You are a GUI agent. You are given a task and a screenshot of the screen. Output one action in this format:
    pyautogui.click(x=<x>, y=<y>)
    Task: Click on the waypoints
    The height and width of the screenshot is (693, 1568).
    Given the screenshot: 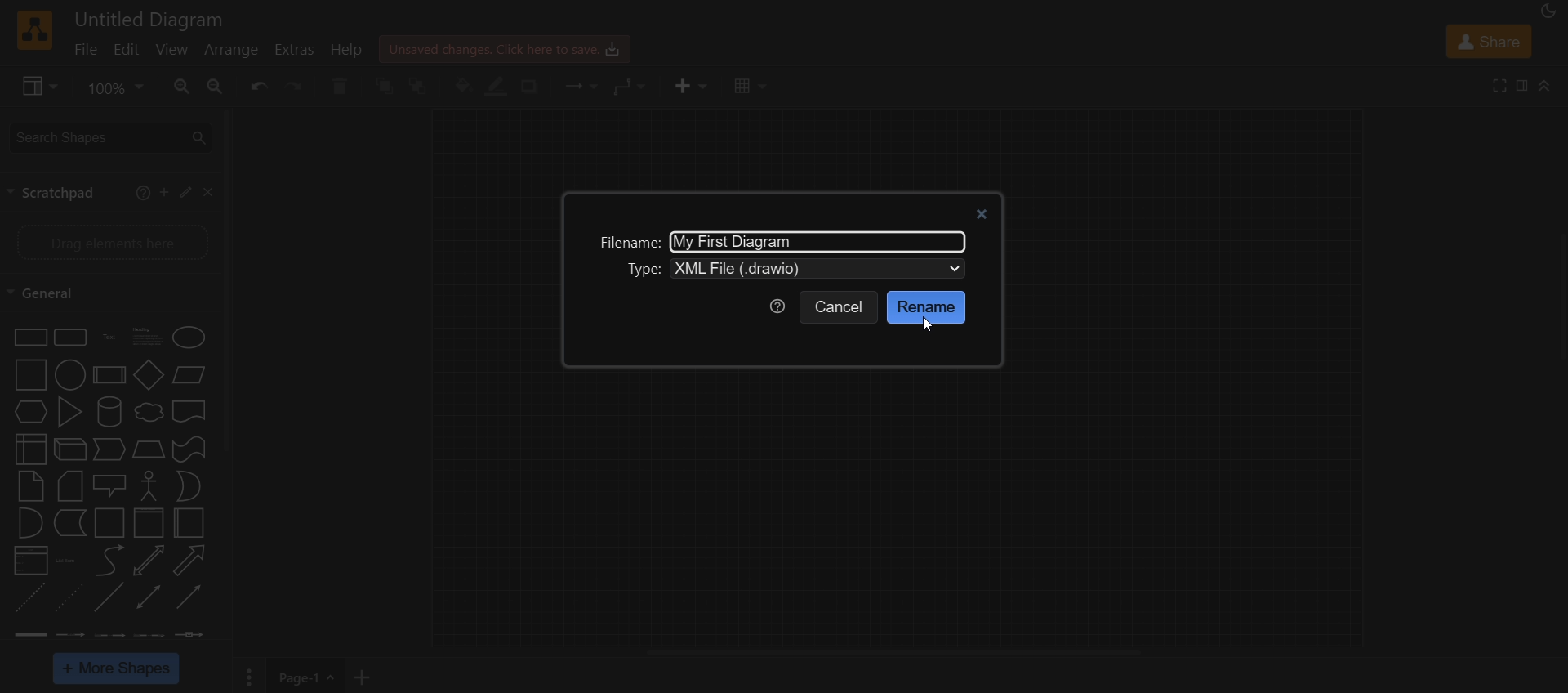 What is the action you would take?
    pyautogui.click(x=629, y=87)
    